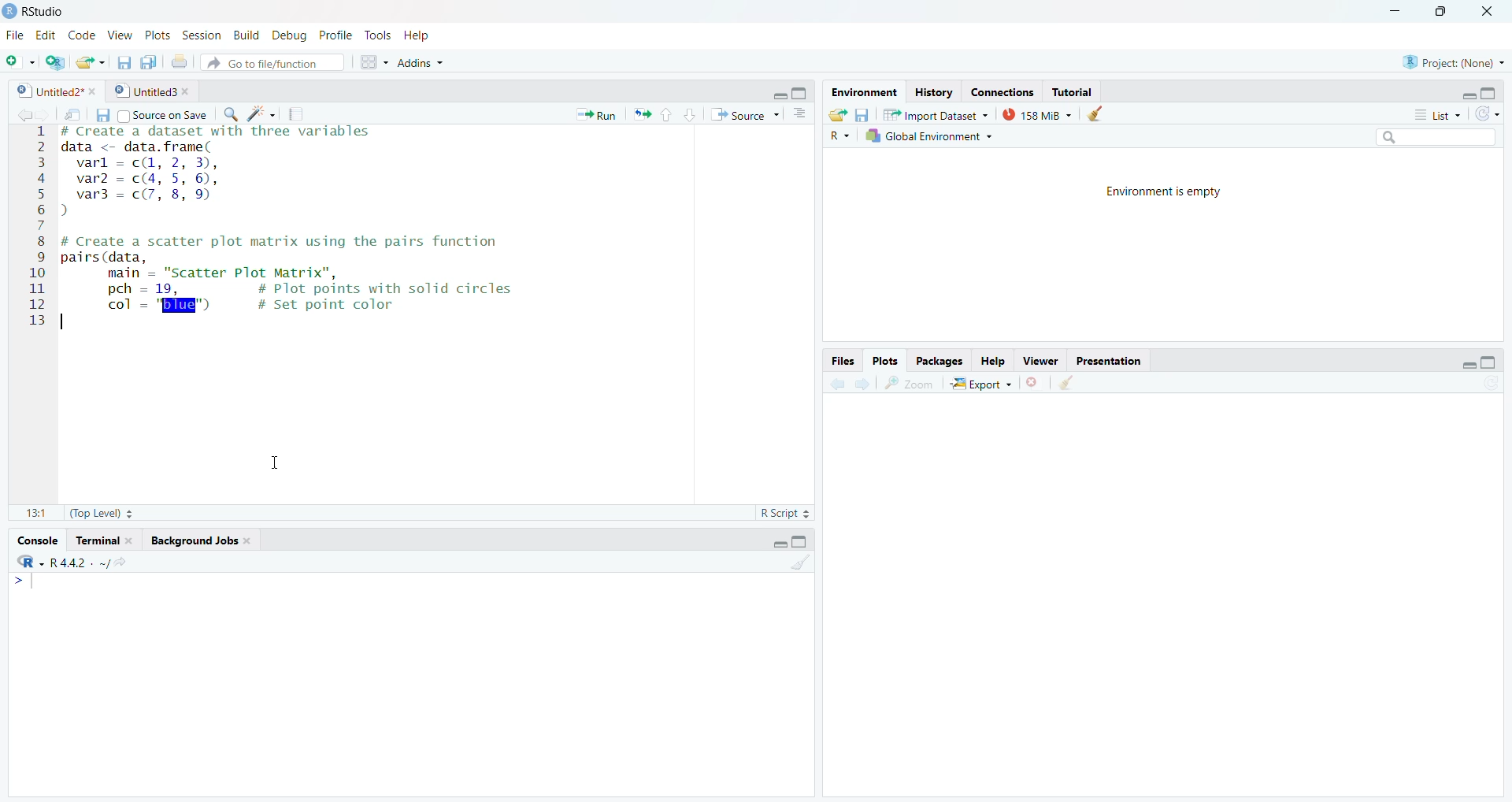  What do you see at coordinates (799, 564) in the screenshot?
I see `clear console` at bounding box center [799, 564].